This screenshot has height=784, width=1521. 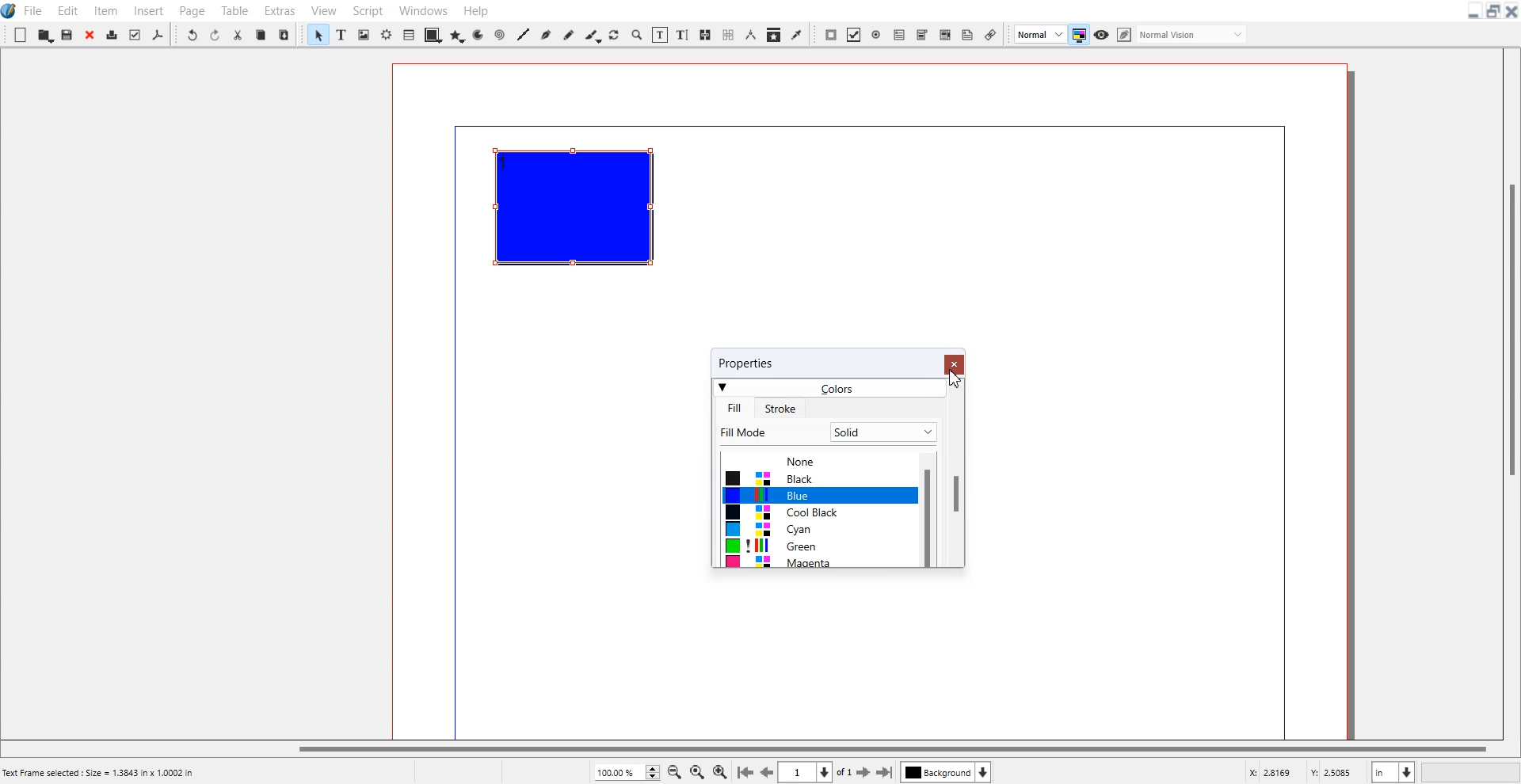 What do you see at coordinates (745, 773) in the screenshot?
I see `Go to first Page` at bounding box center [745, 773].